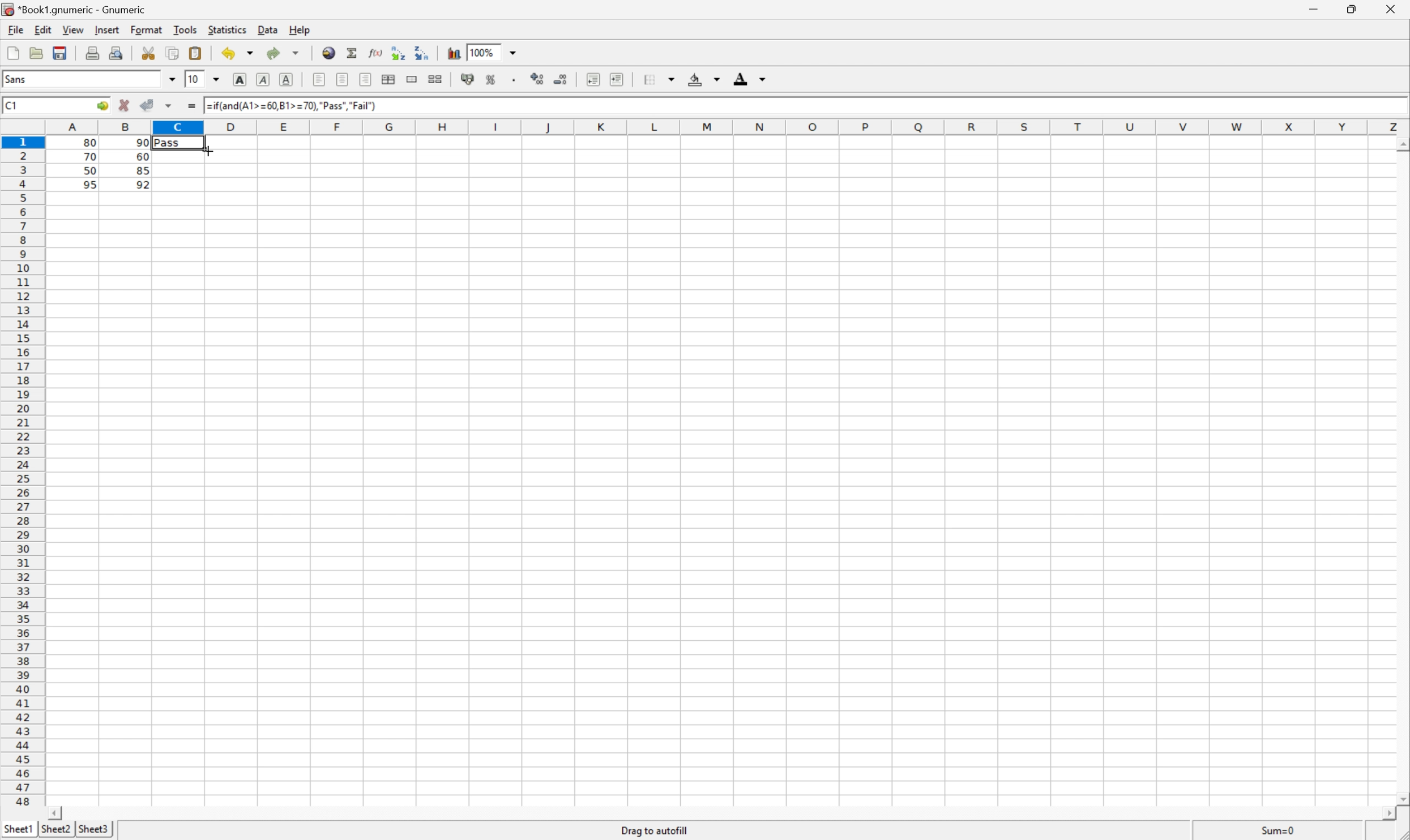  Describe the element at coordinates (593, 78) in the screenshot. I see `Increase indent, and align the contents to the left` at that location.